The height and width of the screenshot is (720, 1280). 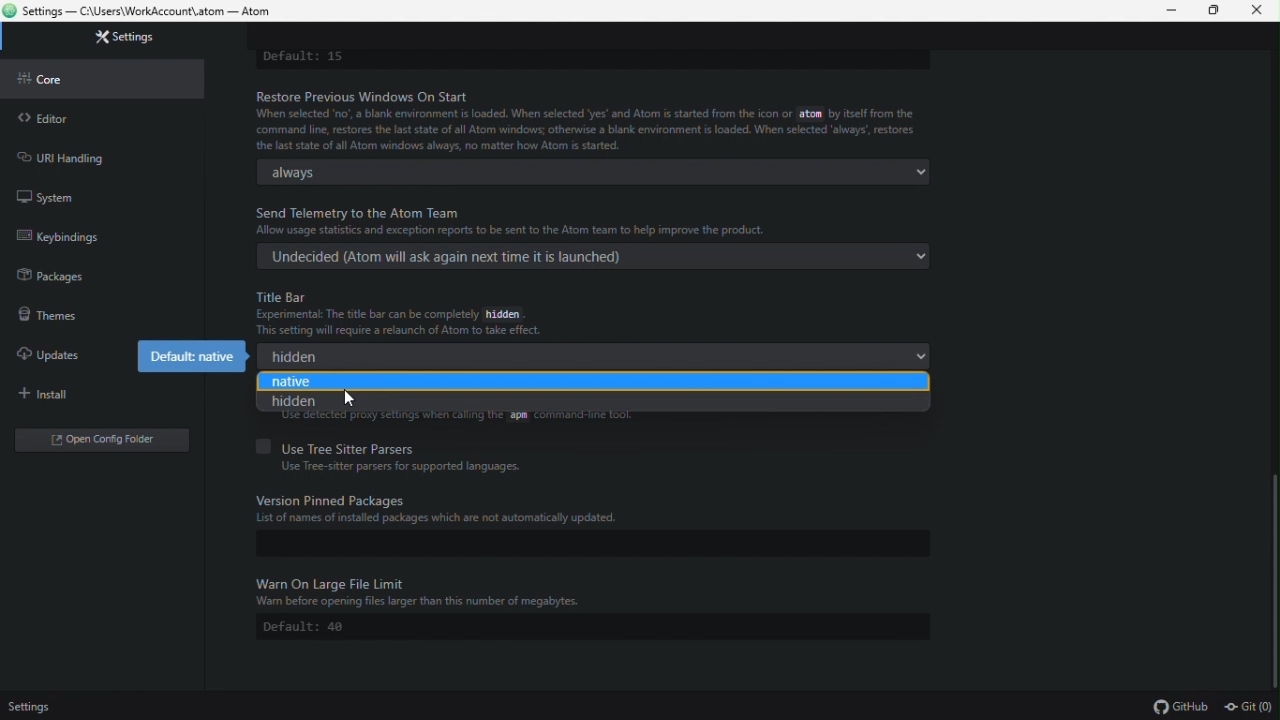 I want to click on Default: 15, so click(x=303, y=58).